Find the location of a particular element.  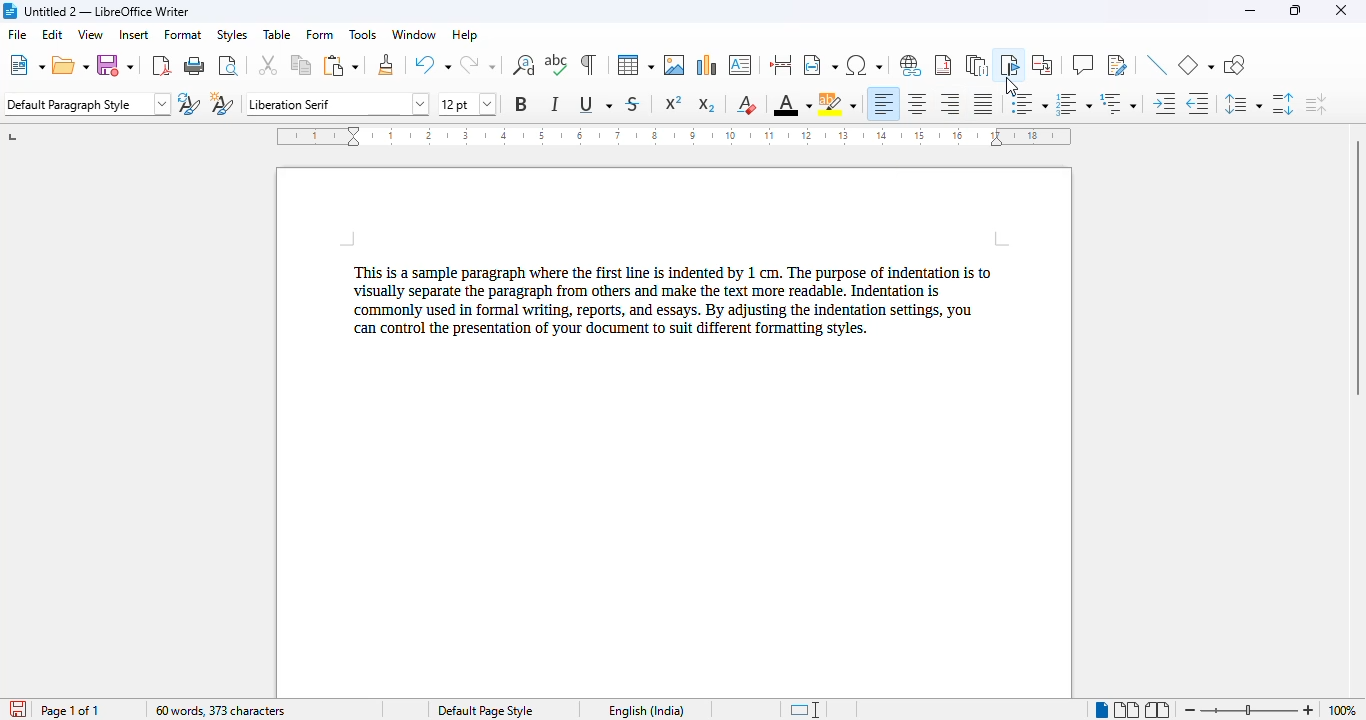

font size is located at coordinates (466, 104).